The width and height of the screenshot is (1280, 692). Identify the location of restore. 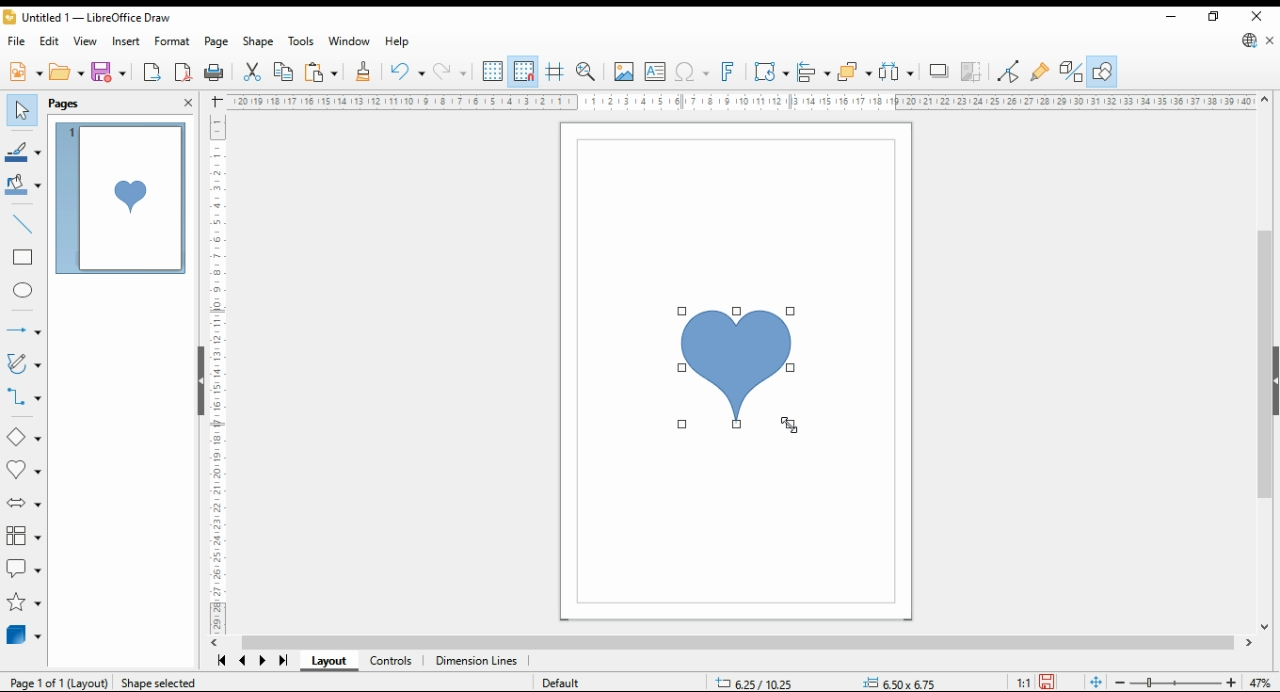
(1213, 17).